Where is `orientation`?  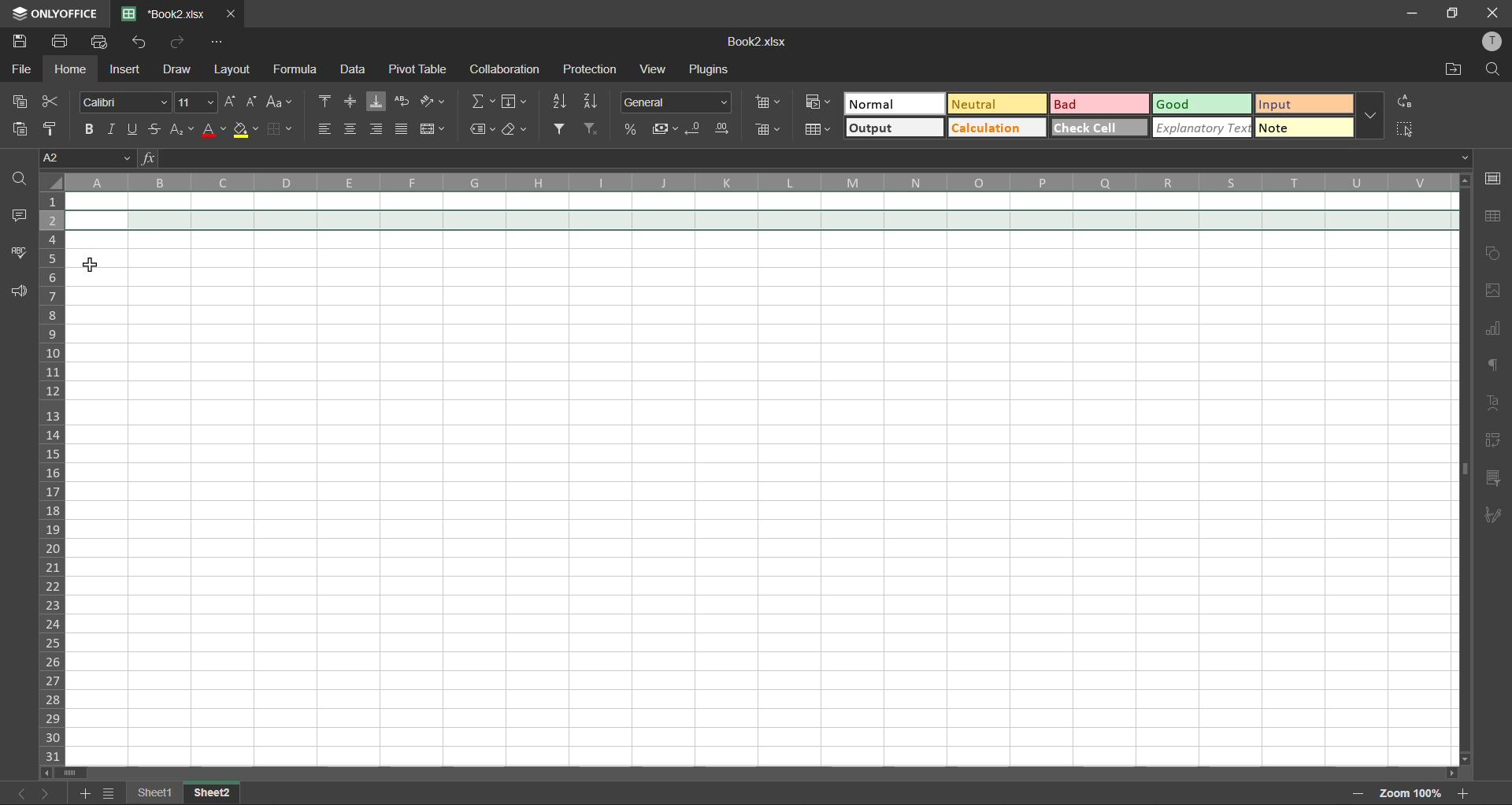 orientation is located at coordinates (435, 101).